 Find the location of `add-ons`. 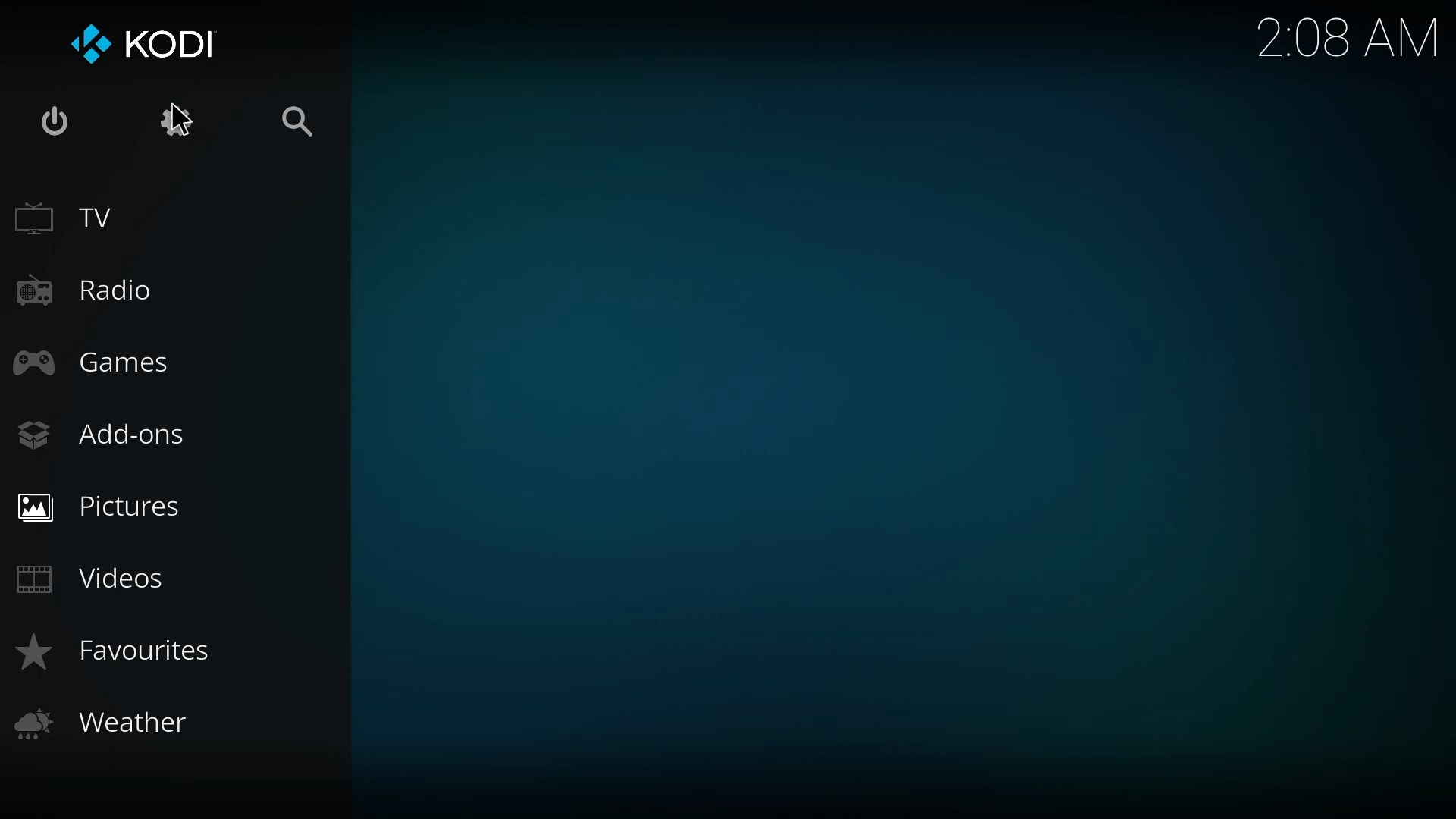

add-ons is located at coordinates (102, 432).